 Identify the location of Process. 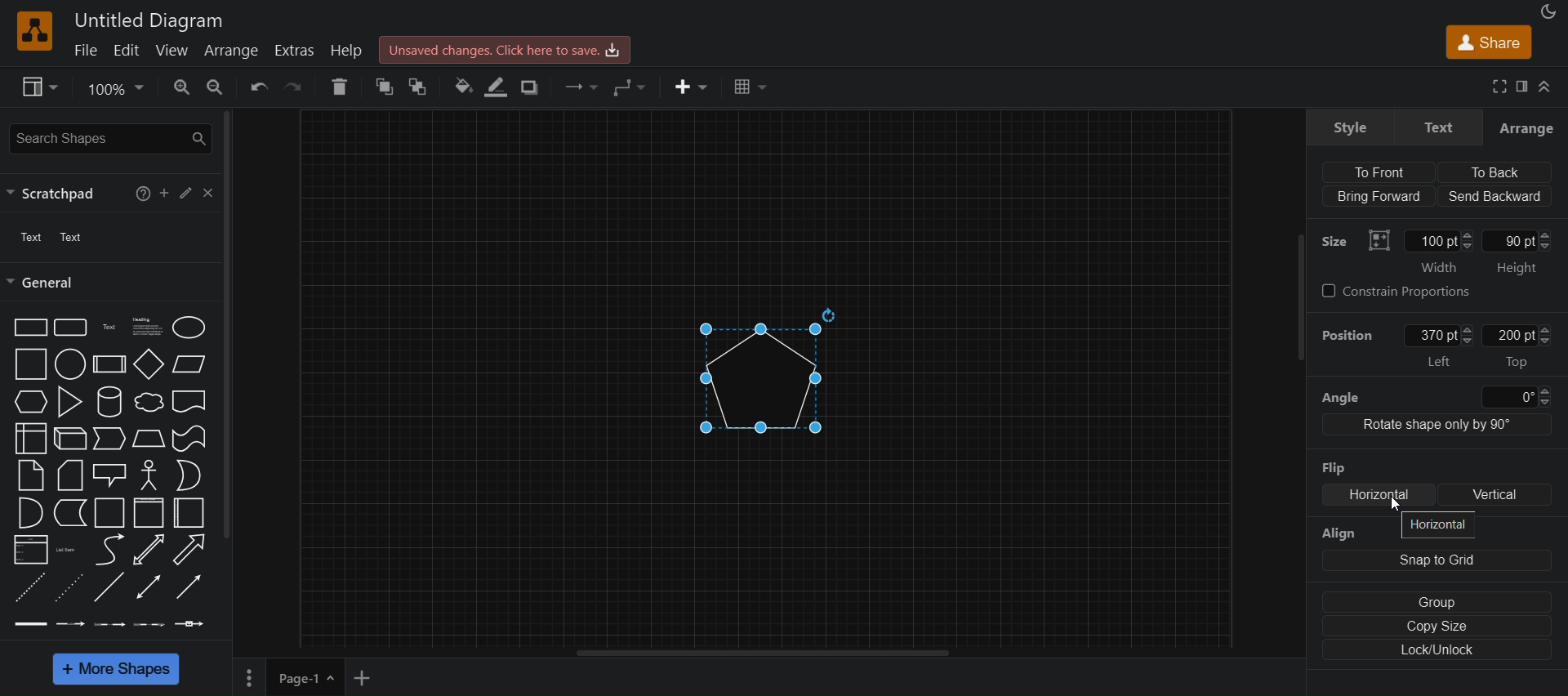
(109, 364).